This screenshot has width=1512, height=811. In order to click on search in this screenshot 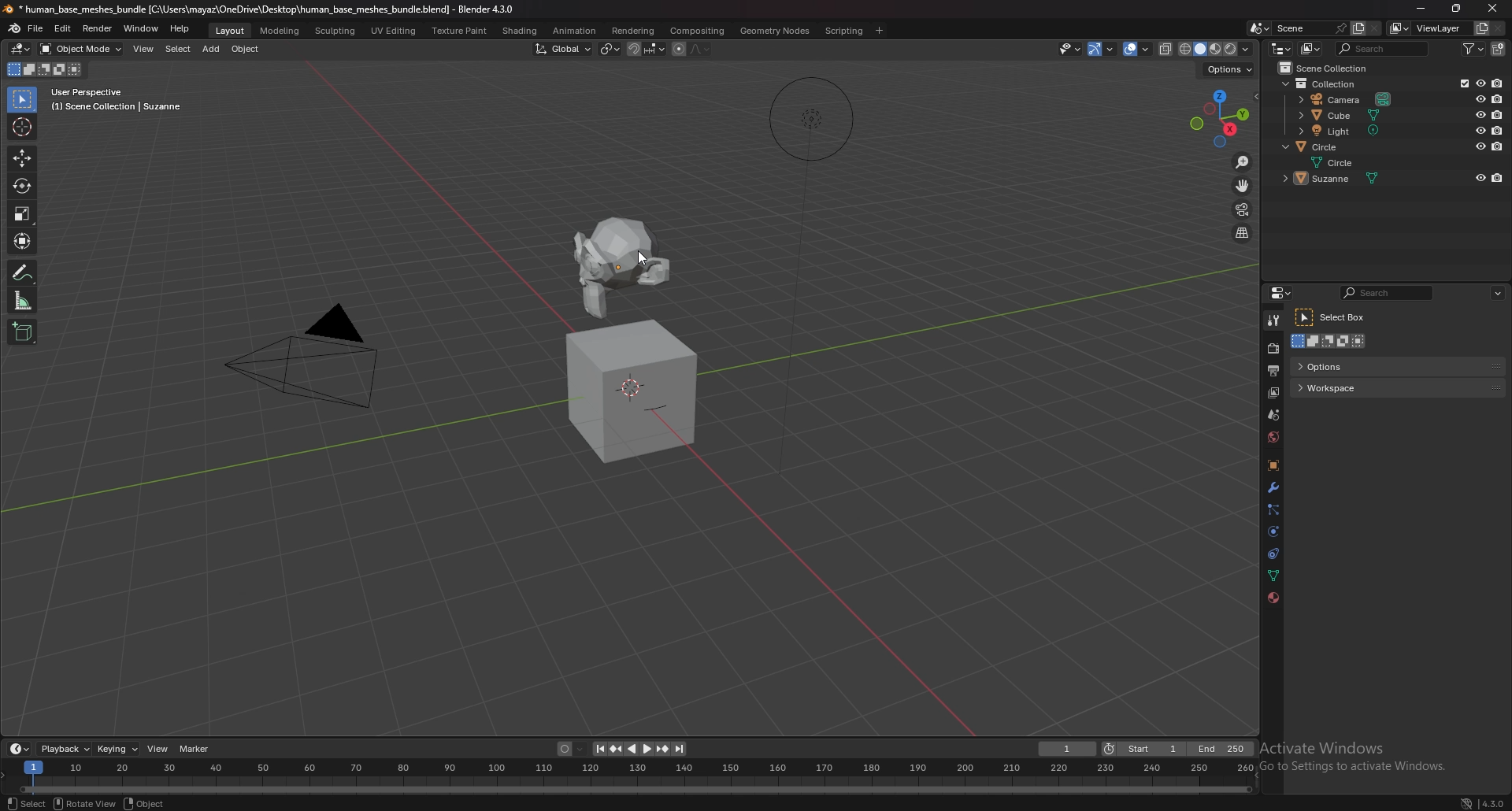, I will do `click(1384, 49)`.